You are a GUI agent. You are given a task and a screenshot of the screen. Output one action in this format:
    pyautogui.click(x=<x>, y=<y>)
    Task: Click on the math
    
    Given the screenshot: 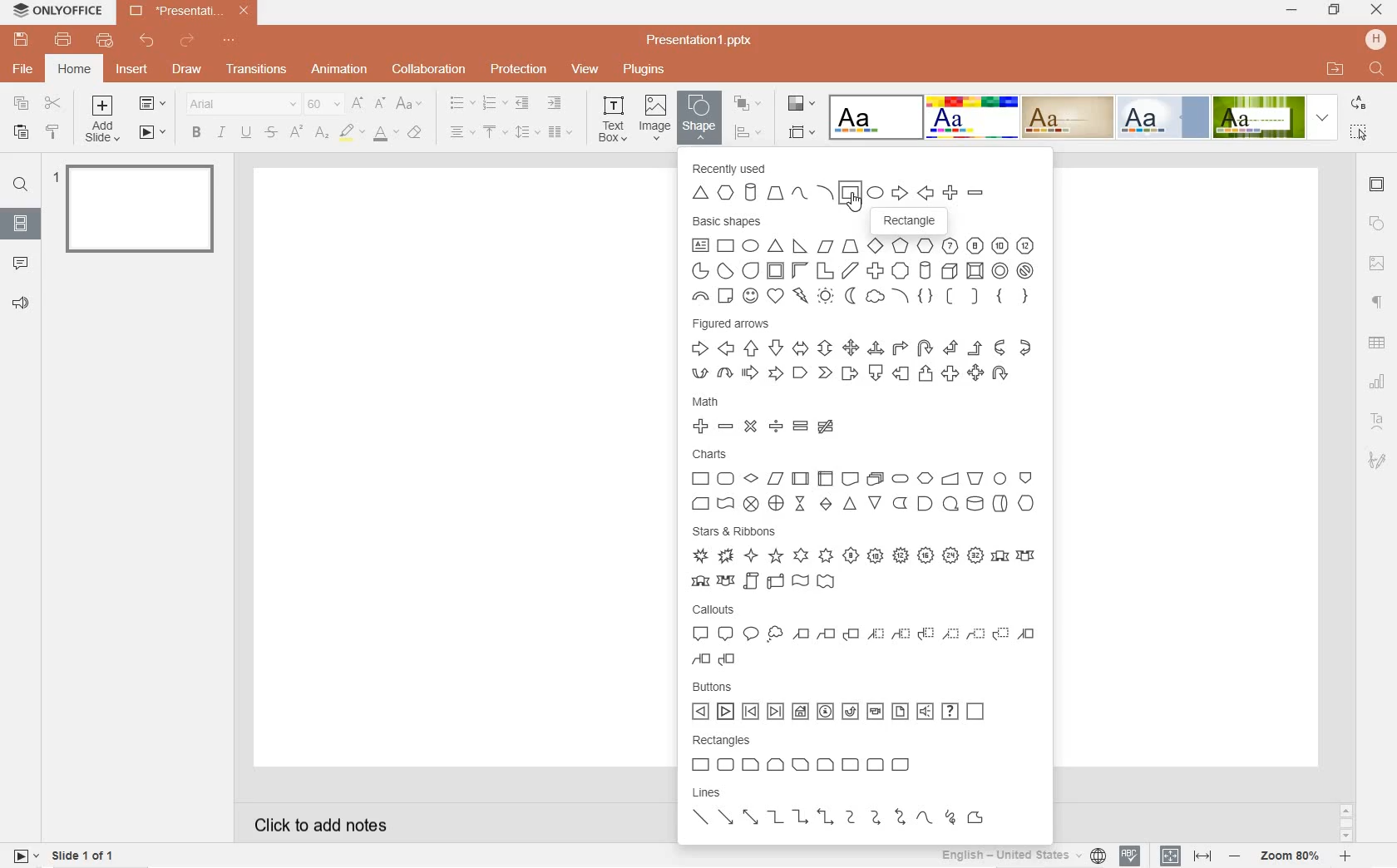 What is the action you would take?
    pyautogui.click(x=703, y=401)
    